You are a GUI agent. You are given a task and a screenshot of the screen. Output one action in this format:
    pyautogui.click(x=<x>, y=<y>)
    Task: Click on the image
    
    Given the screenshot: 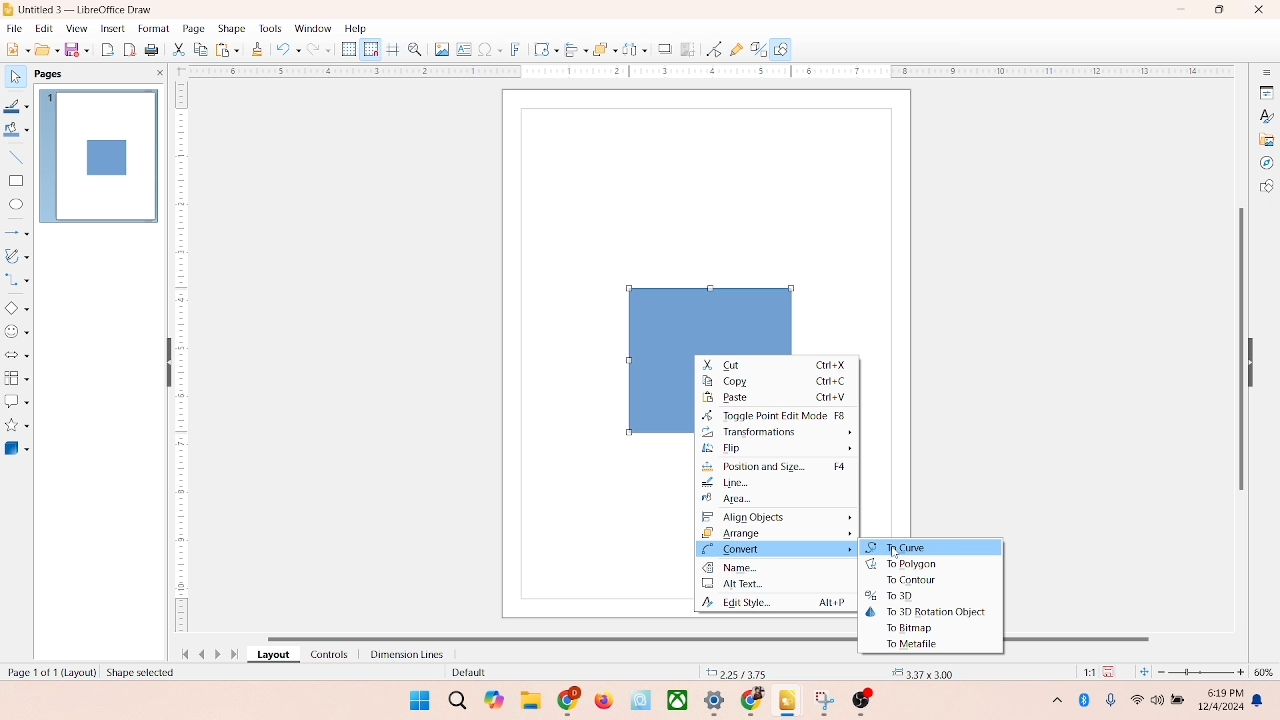 What is the action you would take?
    pyautogui.click(x=439, y=49)
    